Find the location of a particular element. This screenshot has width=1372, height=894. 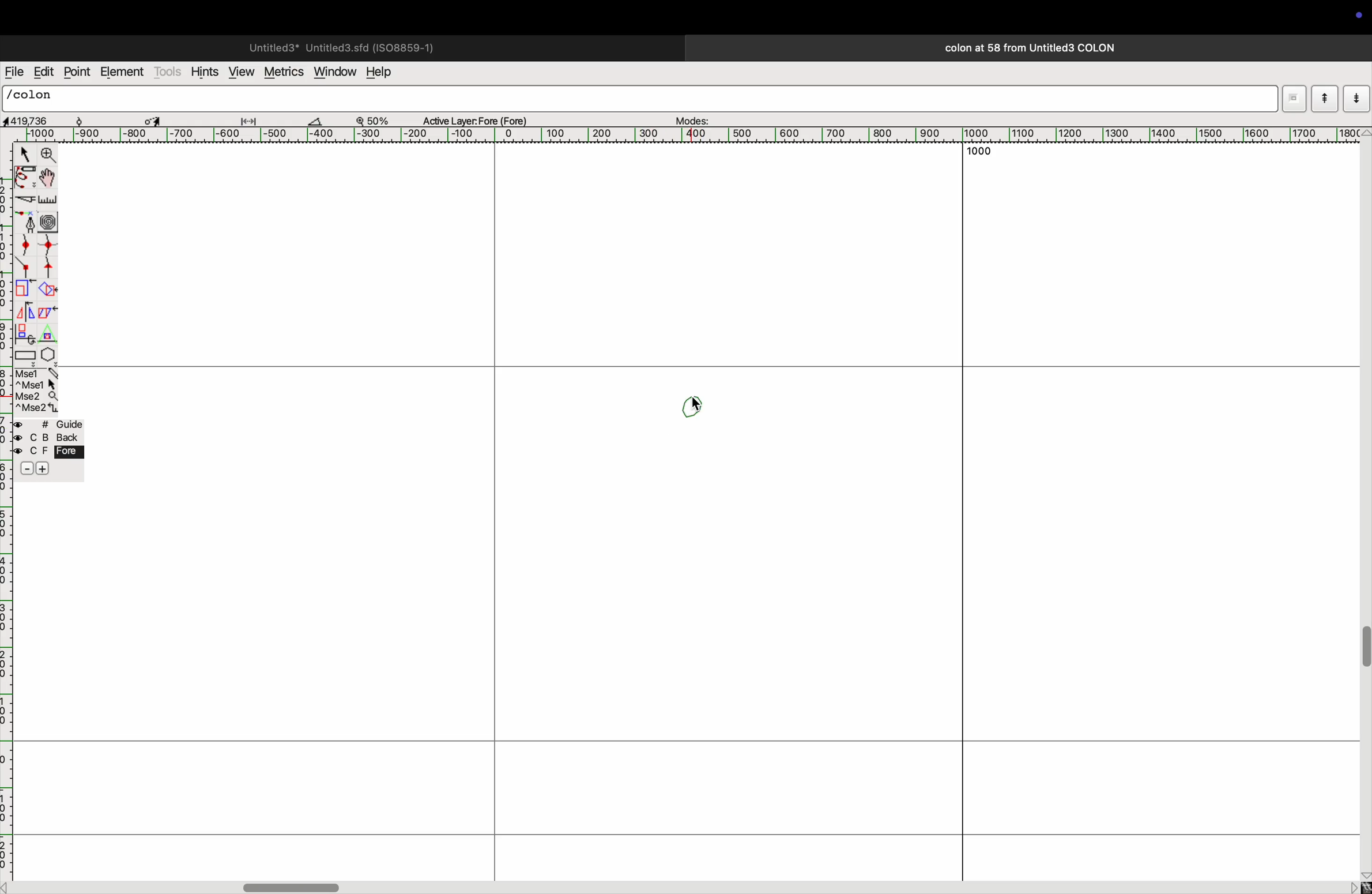

tools is located at coordinates (168, 72).